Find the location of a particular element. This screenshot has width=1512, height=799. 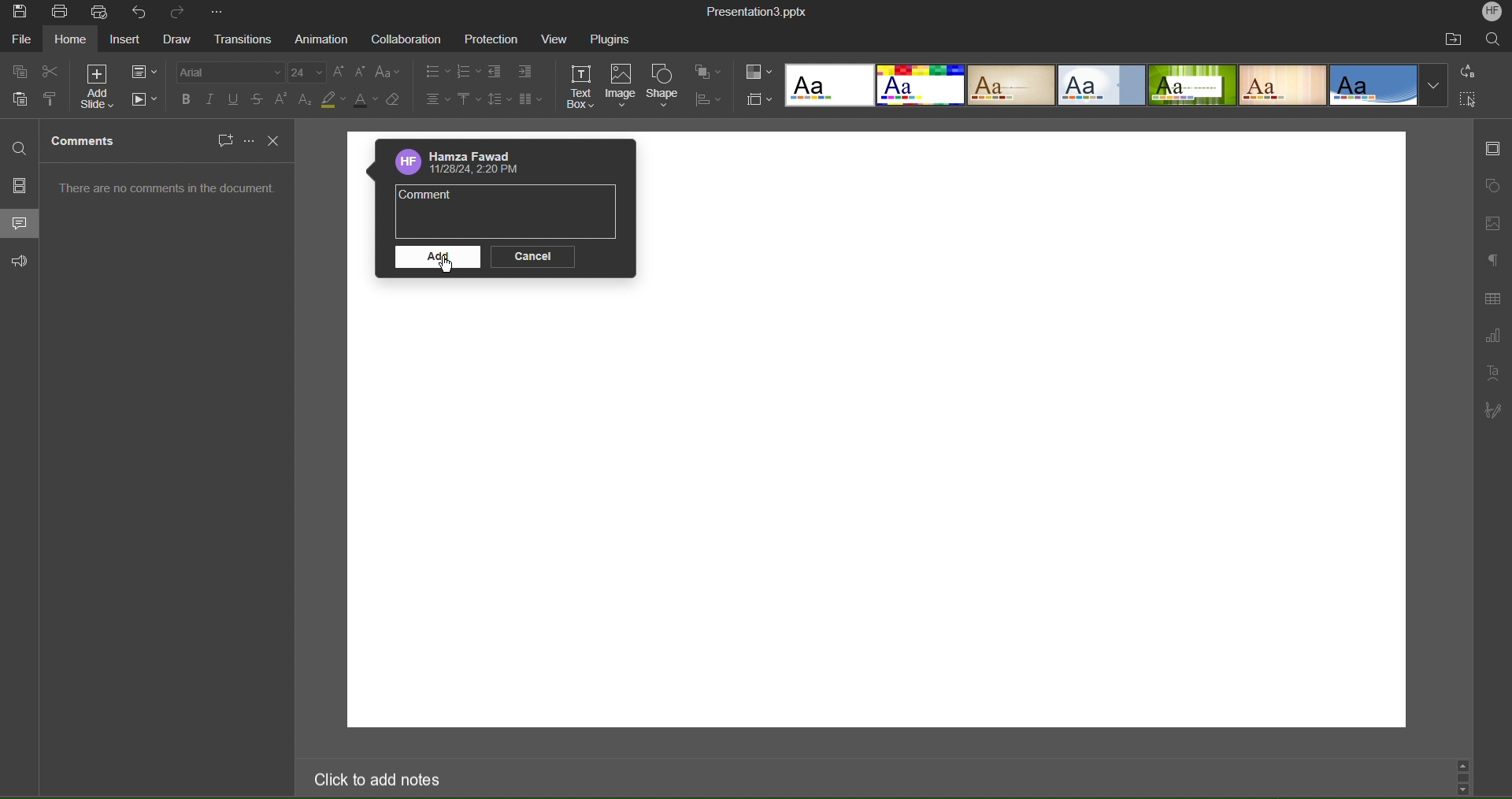

Add Slide is located at coordinates (100, 87).